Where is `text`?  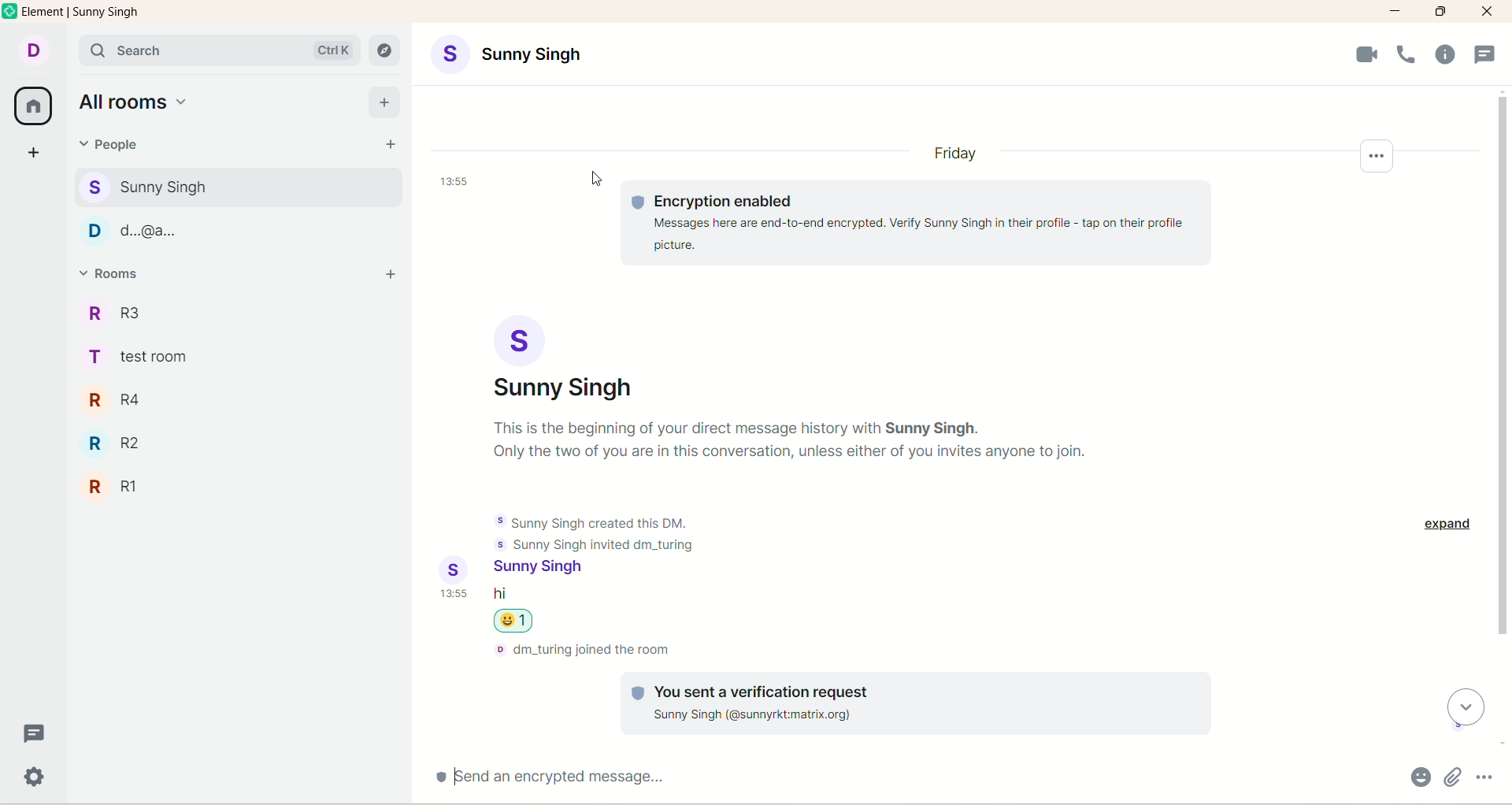
text is located at coordinates (916, 703).